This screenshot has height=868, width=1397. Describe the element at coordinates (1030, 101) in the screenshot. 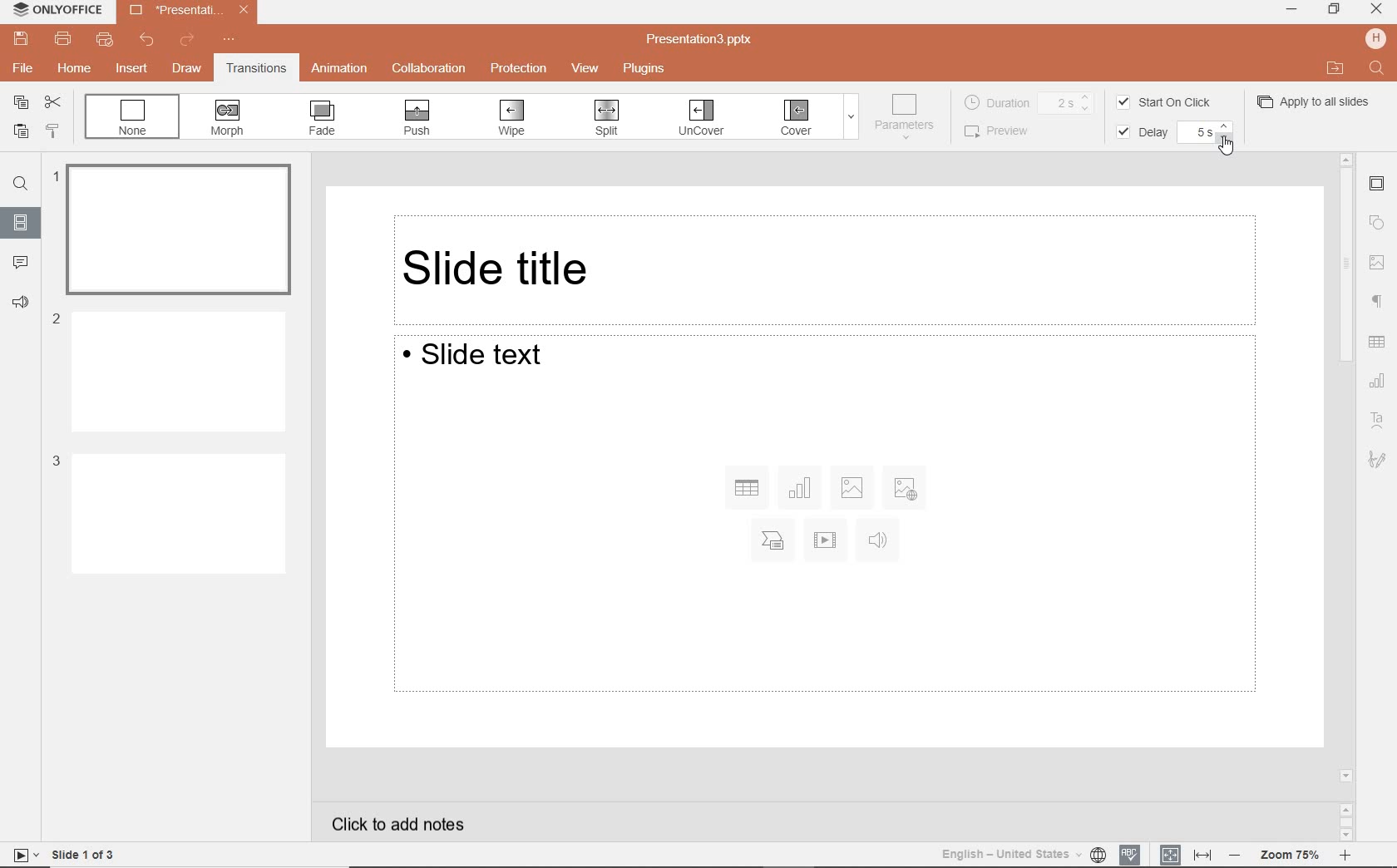

I see `DURATION` at that location.